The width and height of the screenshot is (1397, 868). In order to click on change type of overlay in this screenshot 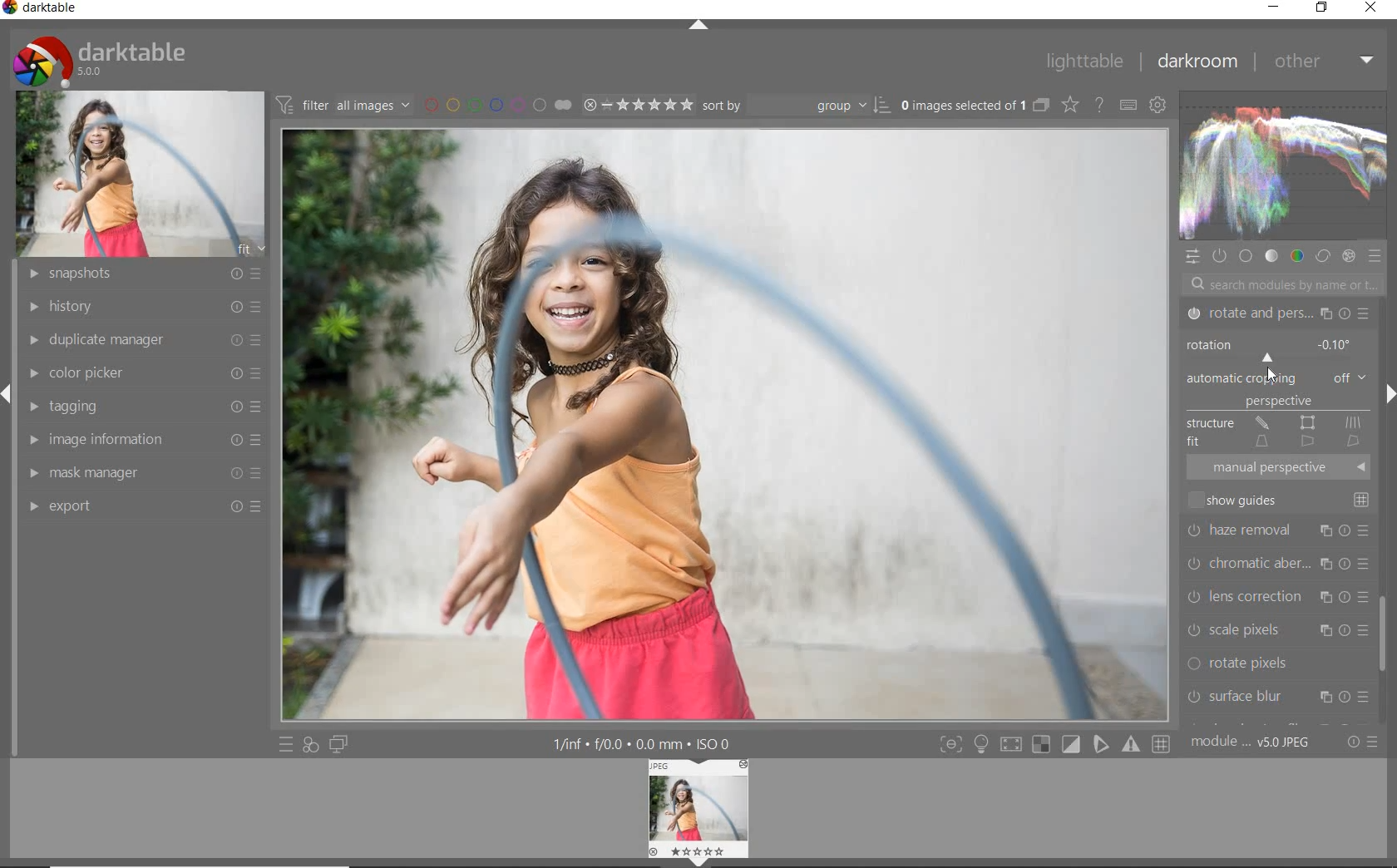, I will do `click(1072, 106)`.